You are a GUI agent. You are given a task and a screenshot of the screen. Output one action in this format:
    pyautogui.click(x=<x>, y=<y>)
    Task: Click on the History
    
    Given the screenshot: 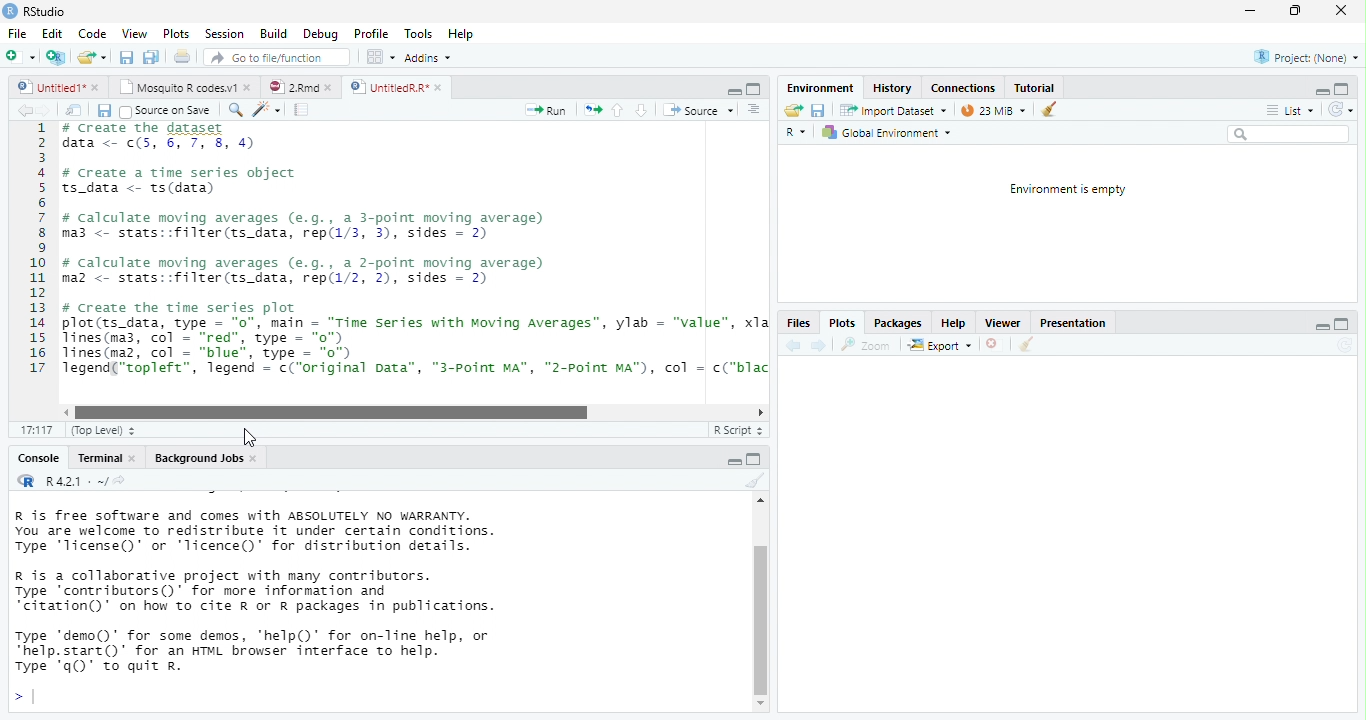 What is the action you would take?
    pyautogui.click(x=892, y=87)
    